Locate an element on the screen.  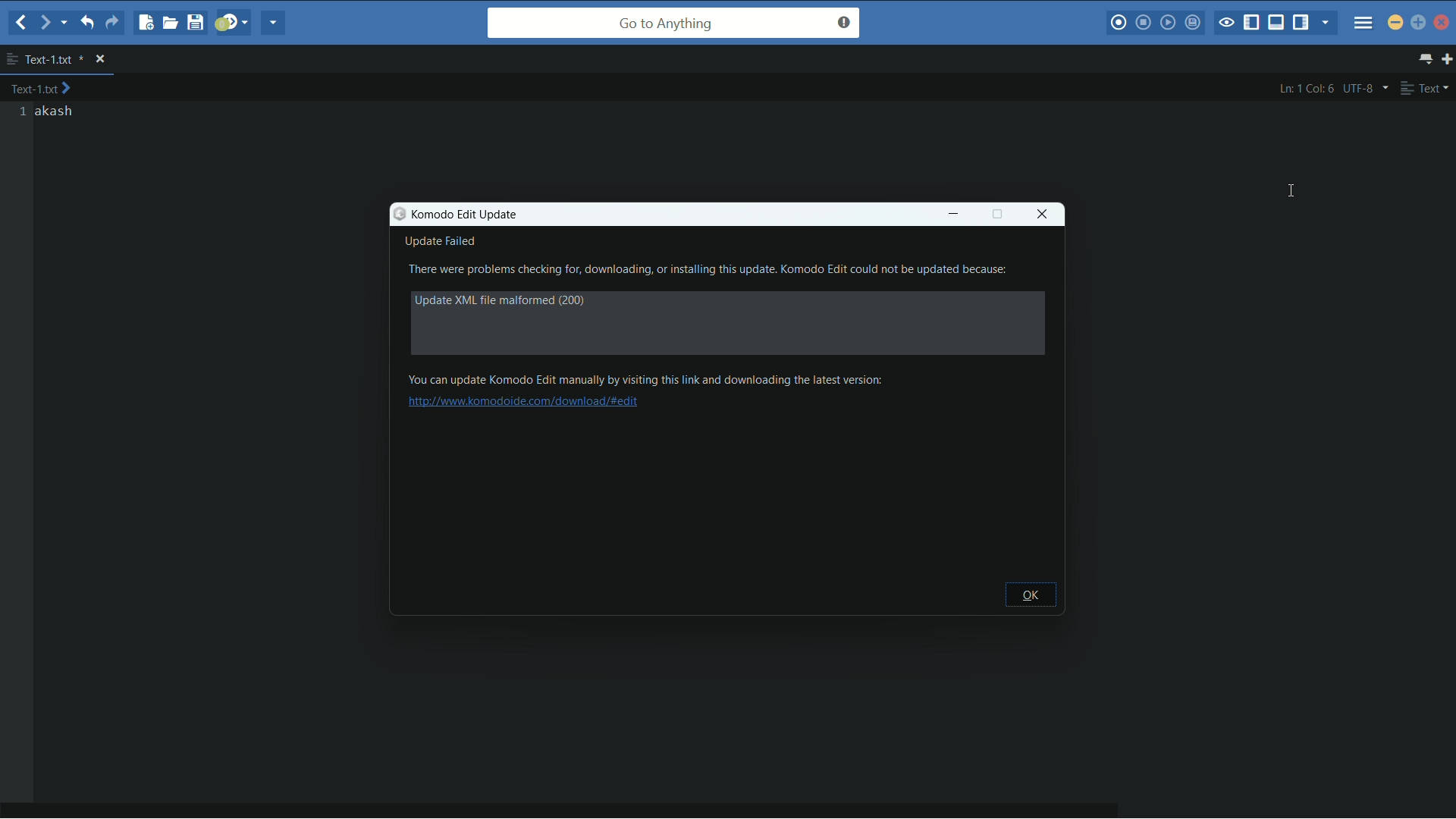
link to update komodo edit is located at coordinates (526, 402).